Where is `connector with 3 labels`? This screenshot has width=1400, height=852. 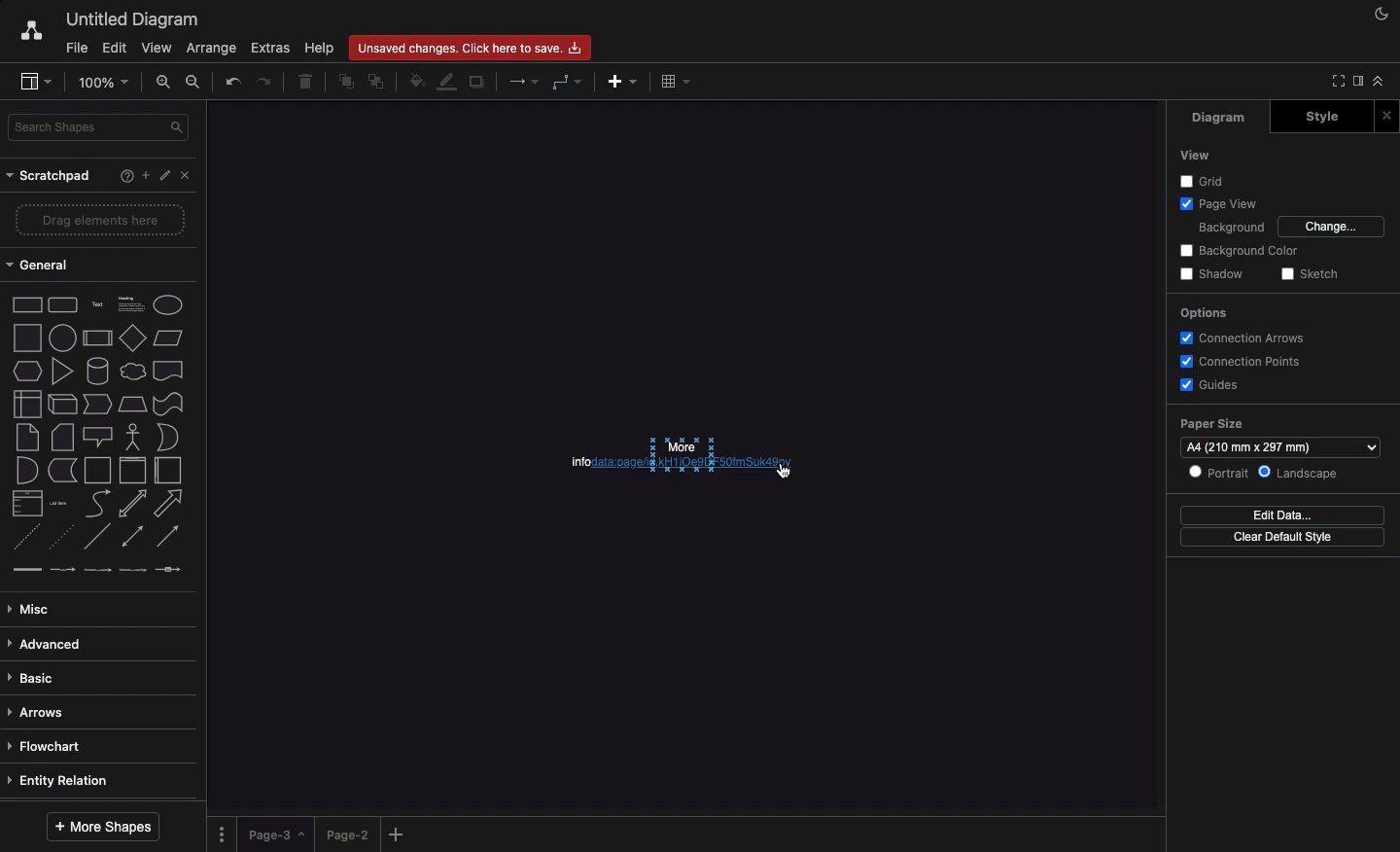
connector with 3 labels is located at coordinates (133, 570).